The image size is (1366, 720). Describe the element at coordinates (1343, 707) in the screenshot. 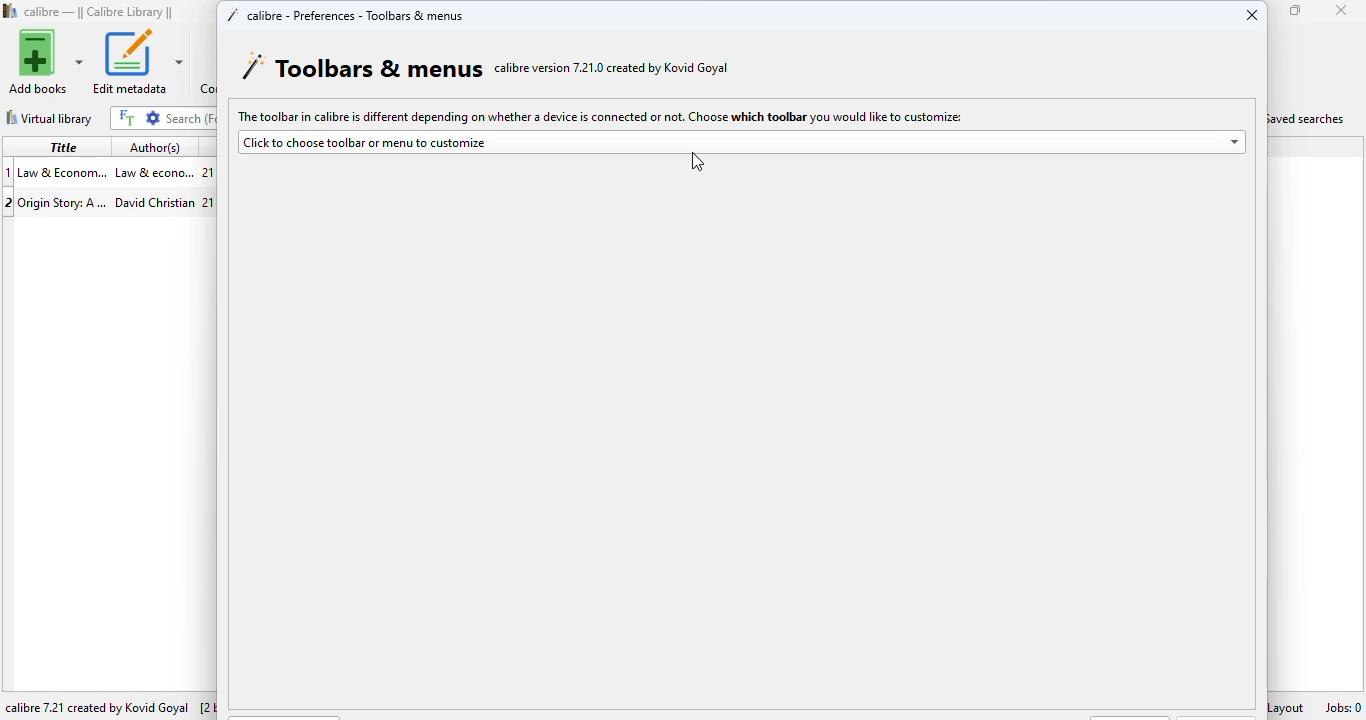

I see `jobs: 0` at that location.